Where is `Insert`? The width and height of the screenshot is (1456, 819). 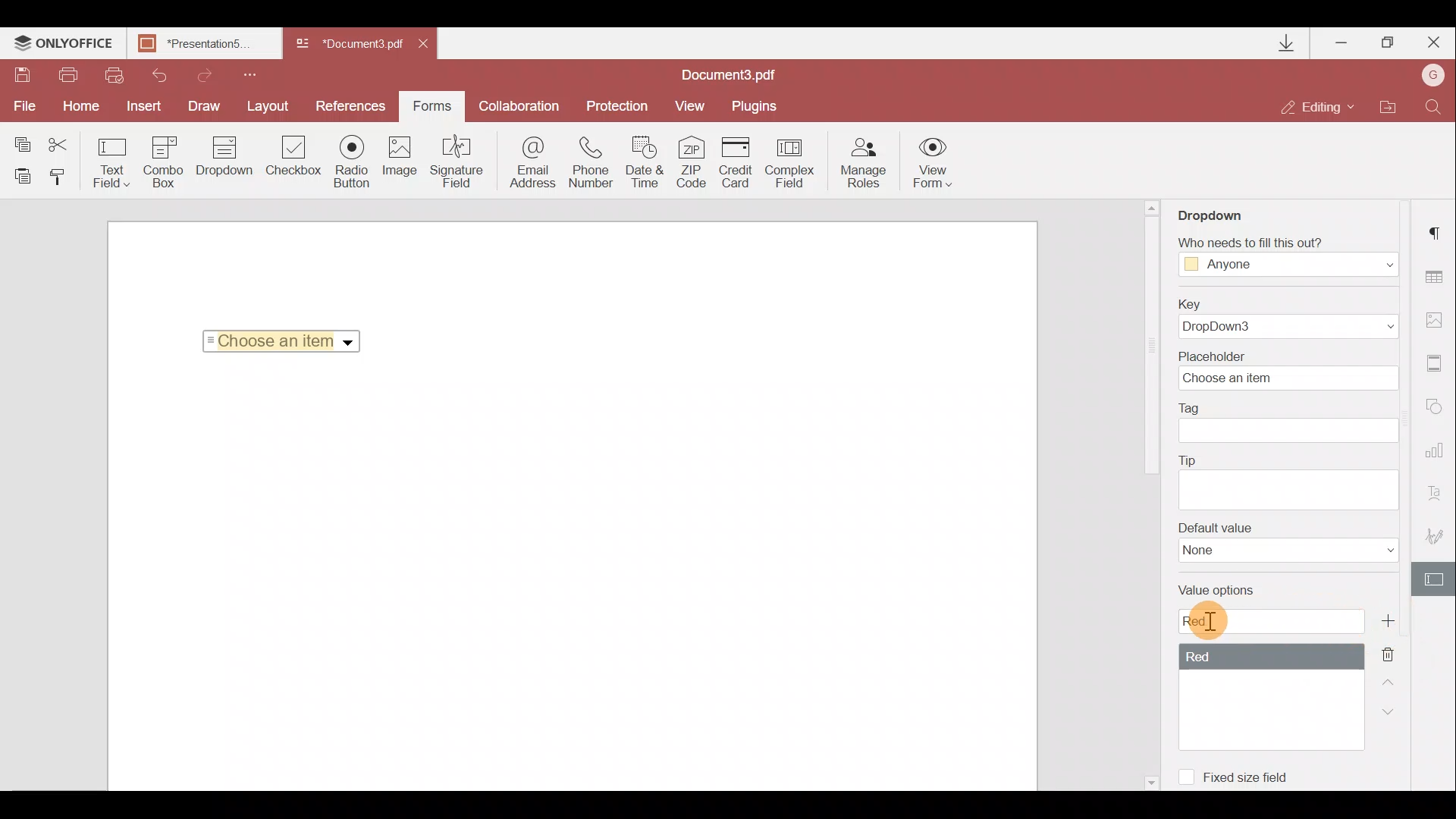
Insert is located at coordinates (147, 106).